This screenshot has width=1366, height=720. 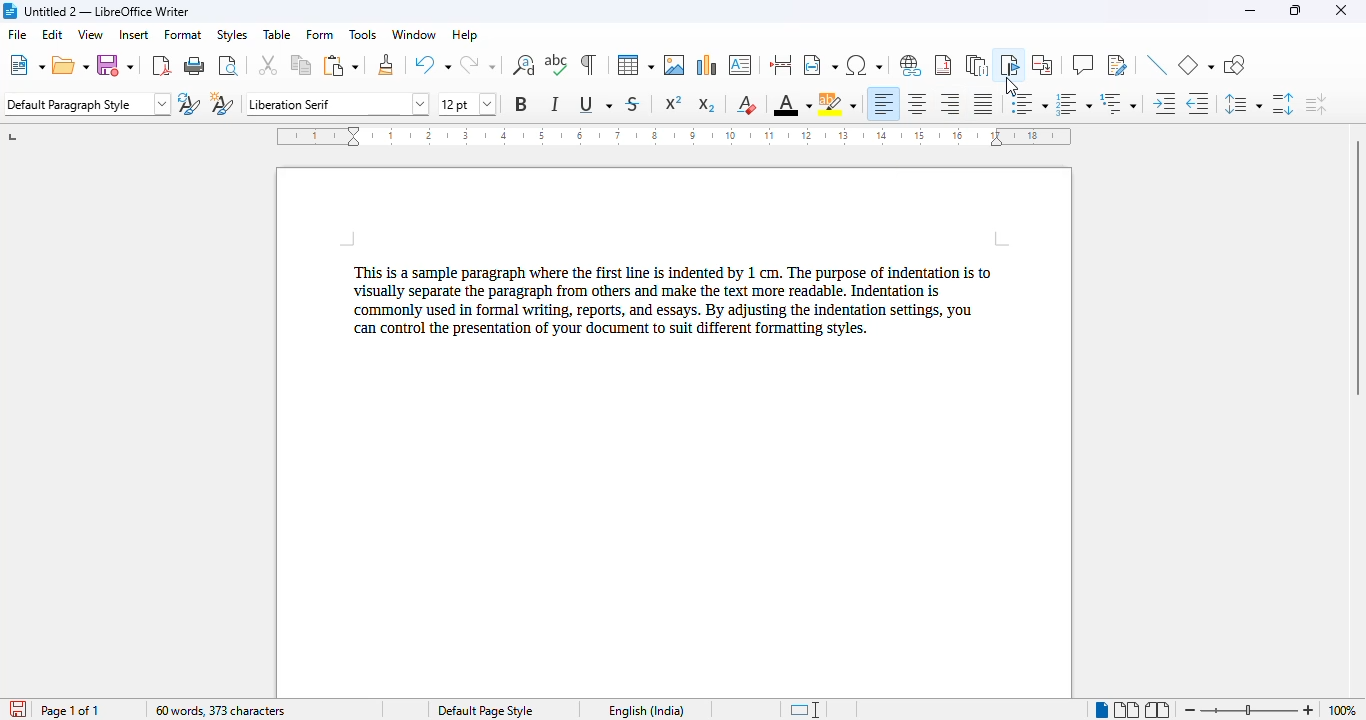 What do you see at coordinates (88, 104) in the screenshot?
I see `set paragraph style` at bounding box center [88, 104].